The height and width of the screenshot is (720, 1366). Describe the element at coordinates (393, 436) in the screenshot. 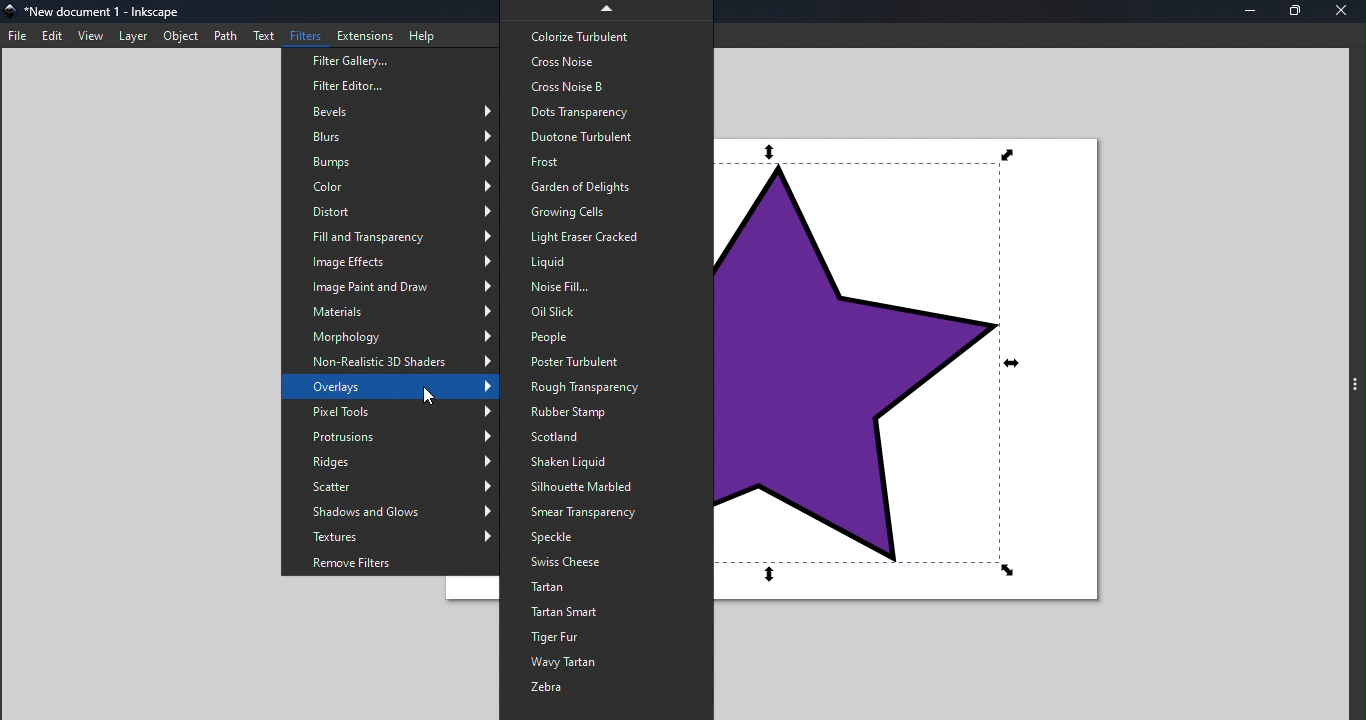

I see `Protrusions` at that location.